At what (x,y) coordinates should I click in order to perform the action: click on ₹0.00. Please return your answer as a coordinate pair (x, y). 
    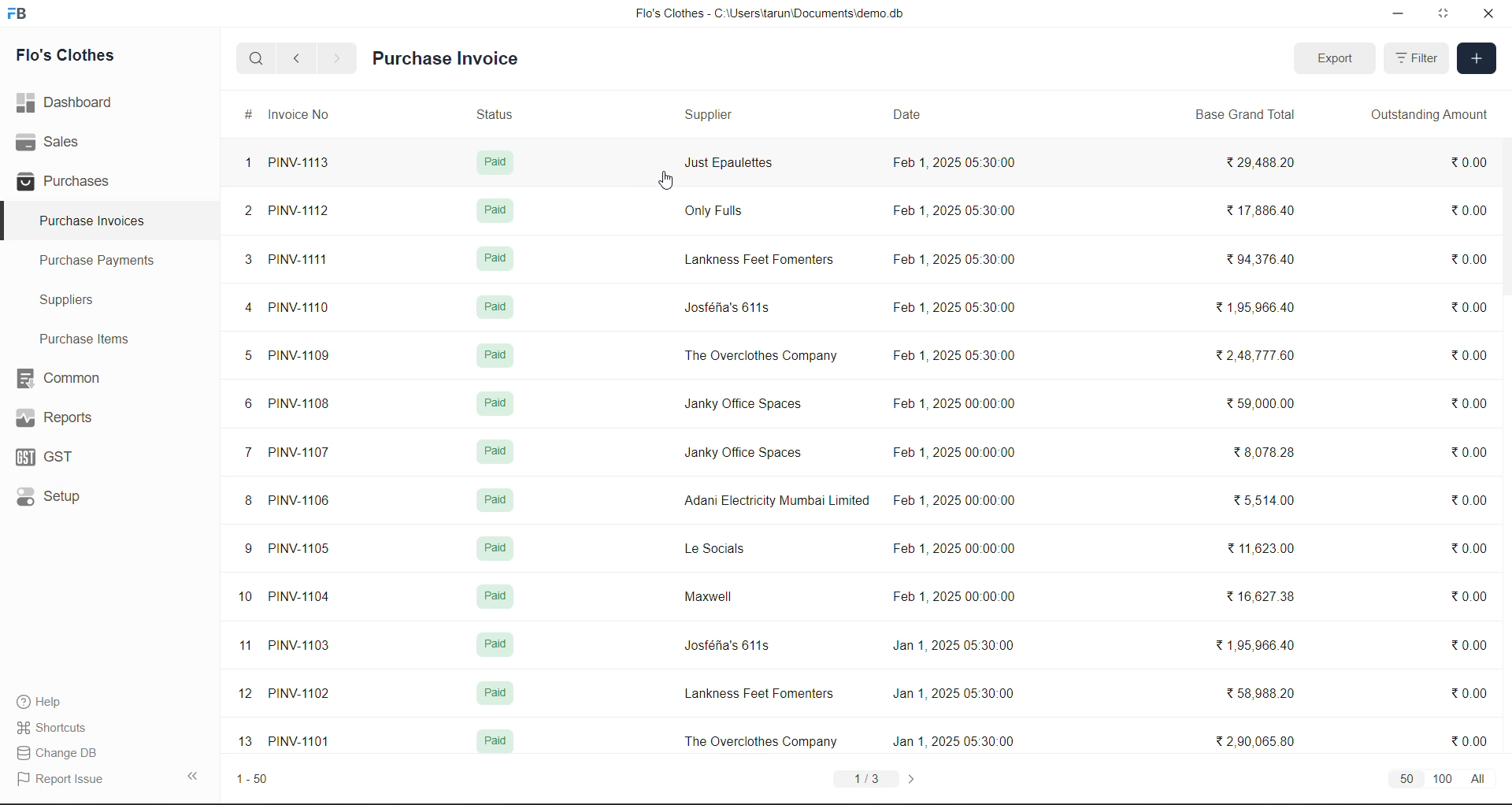
    Looking at the image, I should click on (1467, 165).